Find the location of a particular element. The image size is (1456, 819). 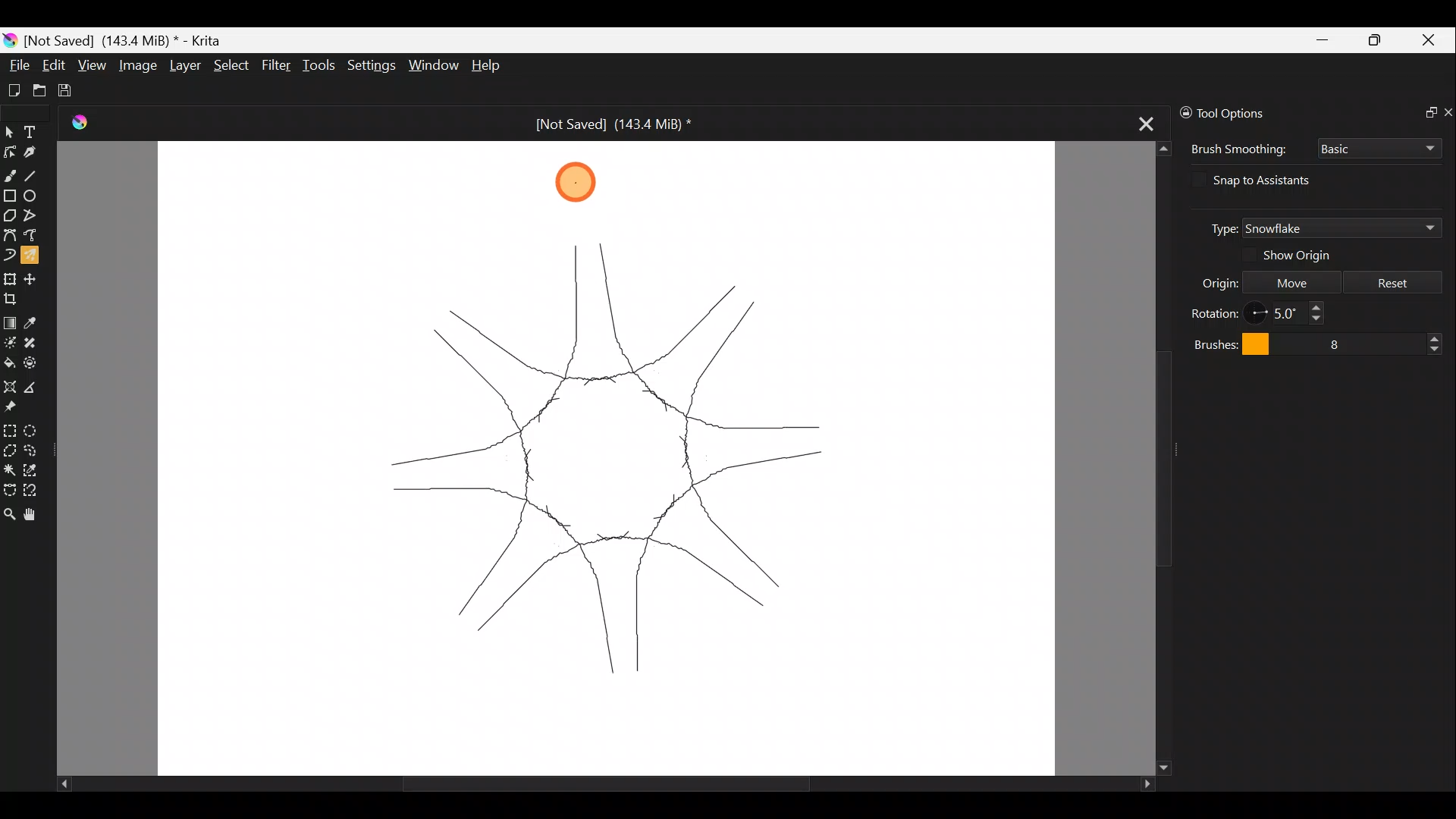

snowflake  is located at coordinates (613, 453).